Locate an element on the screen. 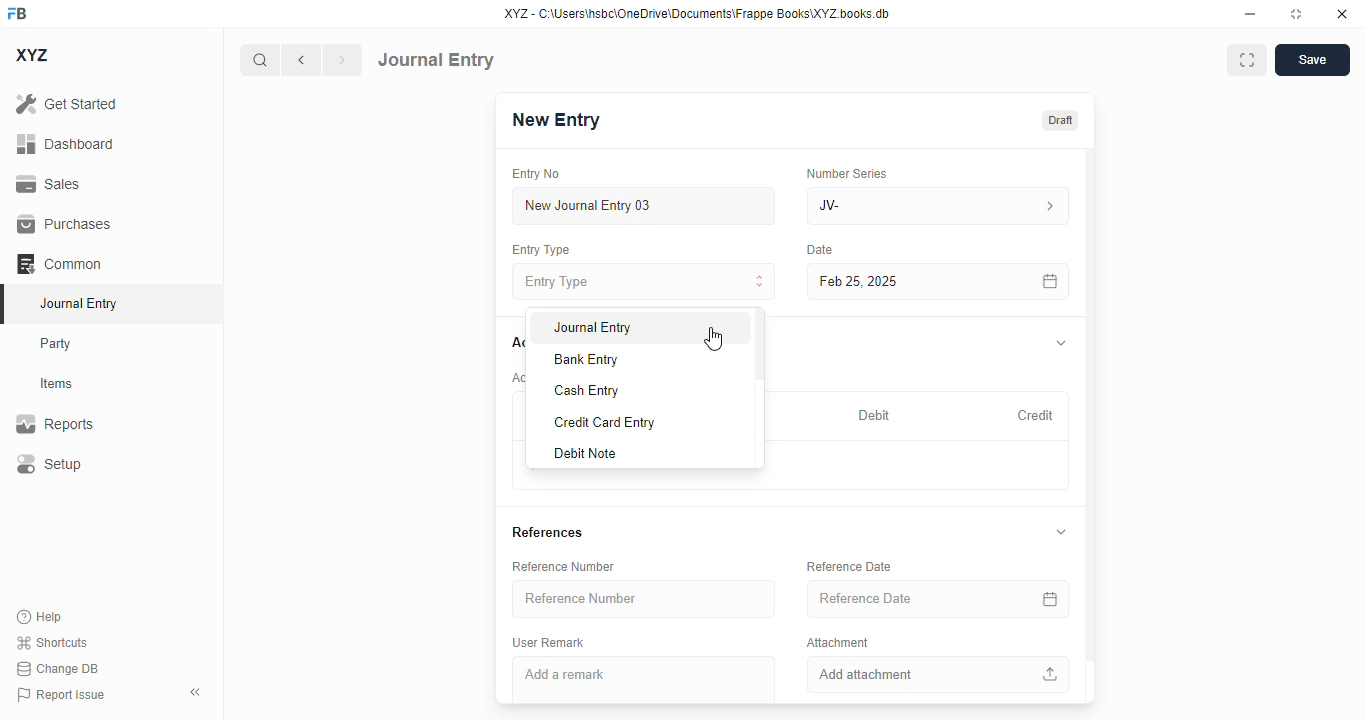  scroll bar is located at coordinates (758, 388).